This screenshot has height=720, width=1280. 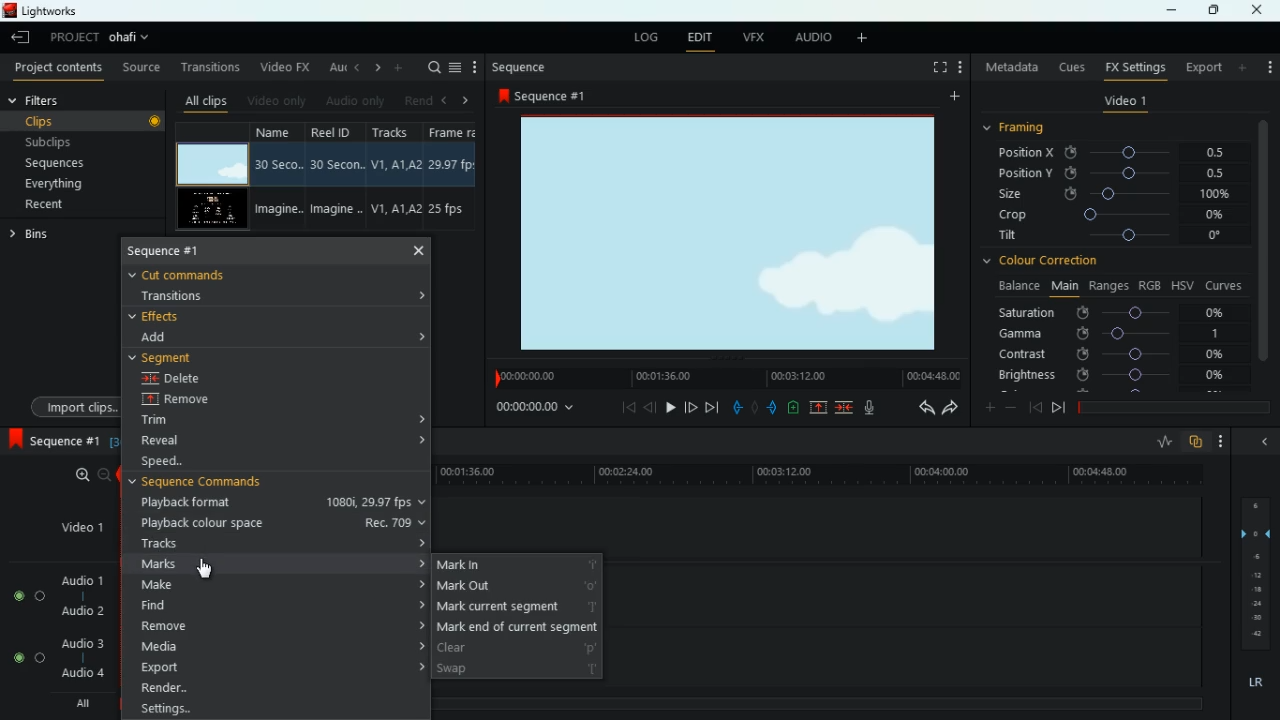 What do you see at coordinates (446, 99) in the screenshot?
I see `left` at bounding box center [446, 99].